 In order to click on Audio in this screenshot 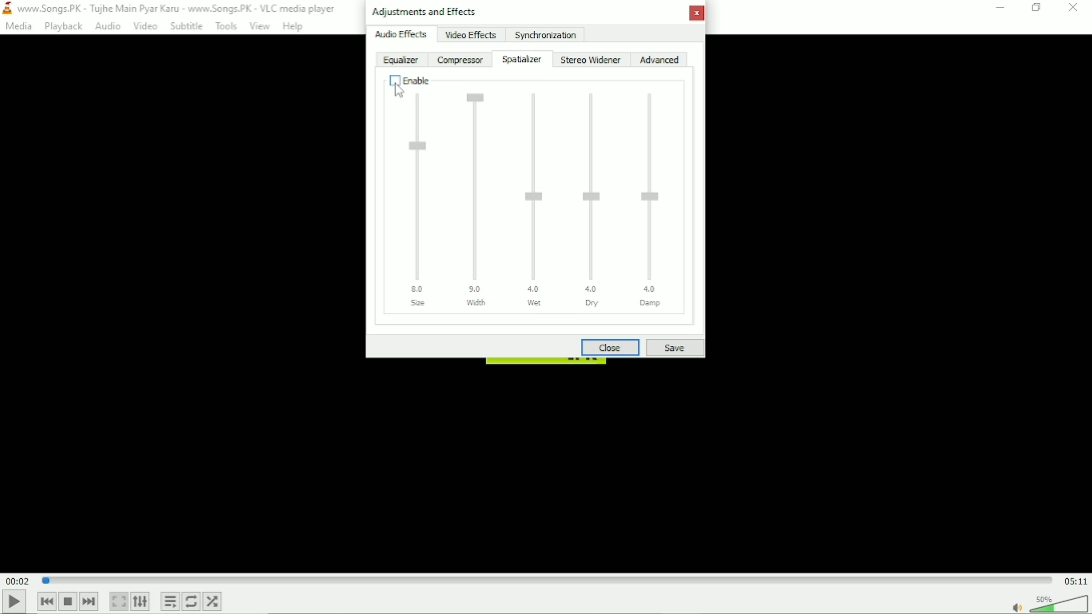, I will do `click(107, 26)`.